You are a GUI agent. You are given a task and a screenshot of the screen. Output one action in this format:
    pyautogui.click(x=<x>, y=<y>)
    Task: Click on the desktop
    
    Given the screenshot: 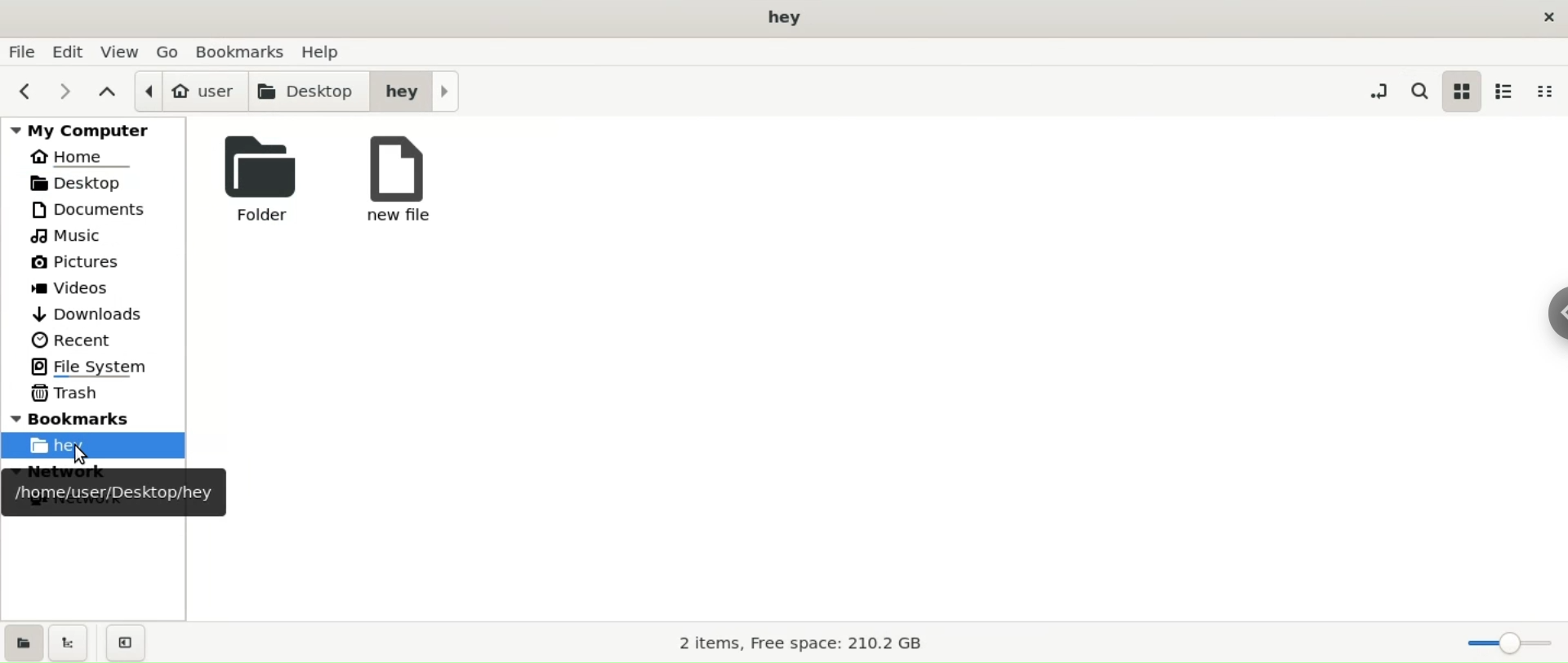 What is the action you would take?
    pyautogui.click(x=100, y=184)
    